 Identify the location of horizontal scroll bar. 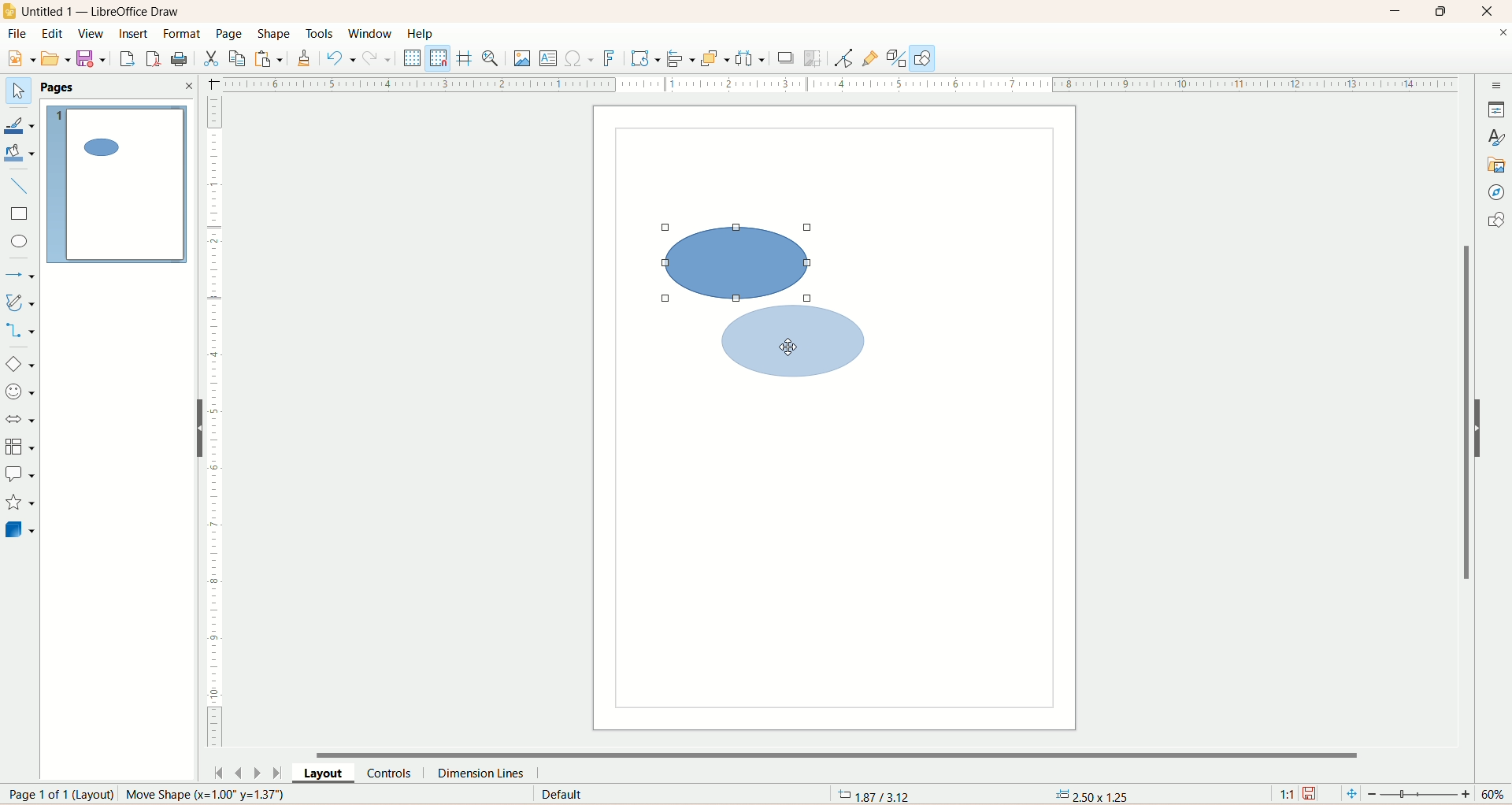
(843, 751).